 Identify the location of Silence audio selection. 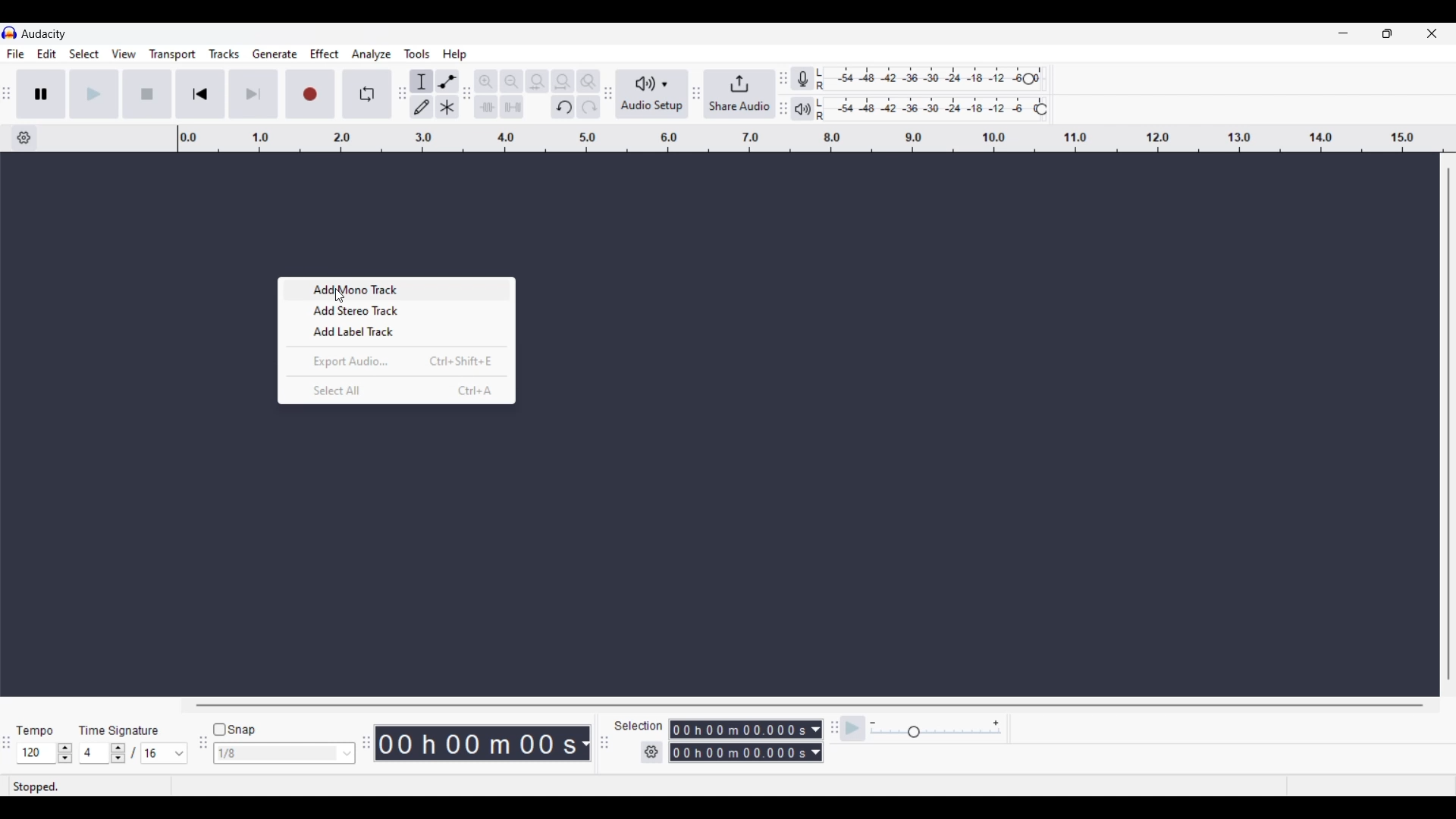
(512, 107).